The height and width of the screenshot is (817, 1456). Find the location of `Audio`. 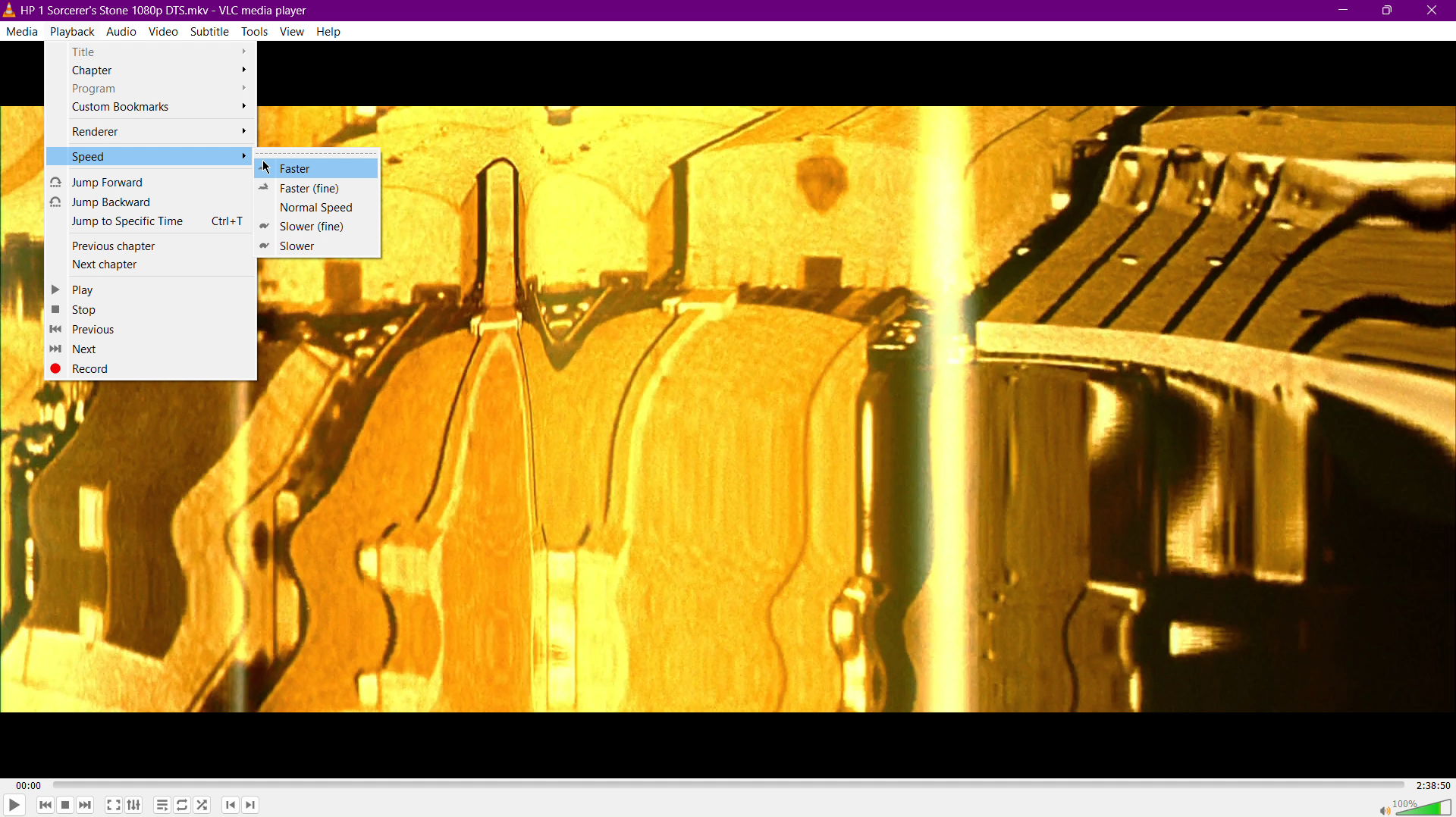

Audio is located at coordinates (124, 30).